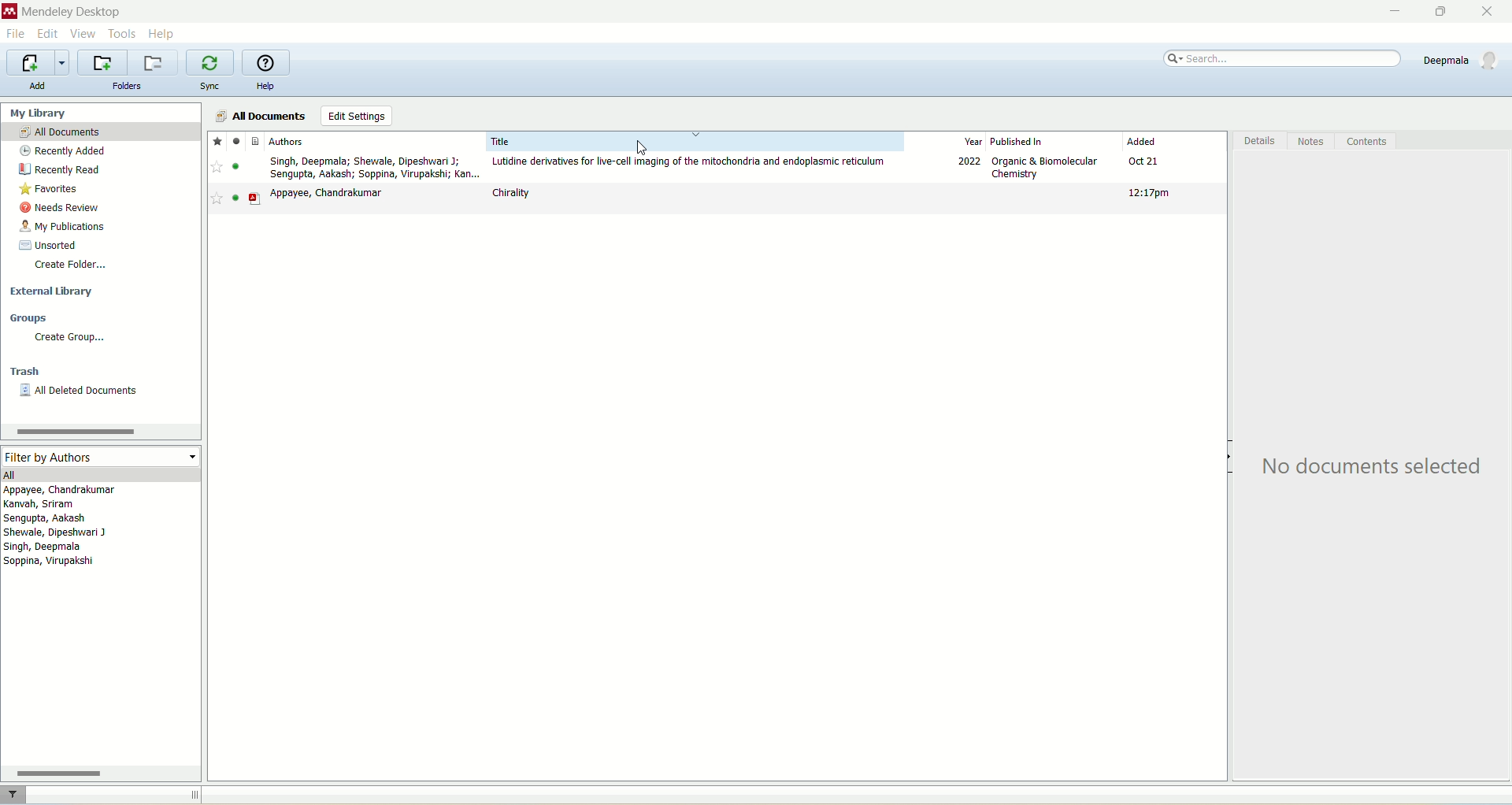 The width and height of the screenshot is (1512, 805). What do you see at coordinates (258, 116) in the screenshot?
I see `all documents` at bounding box center [258, 116].